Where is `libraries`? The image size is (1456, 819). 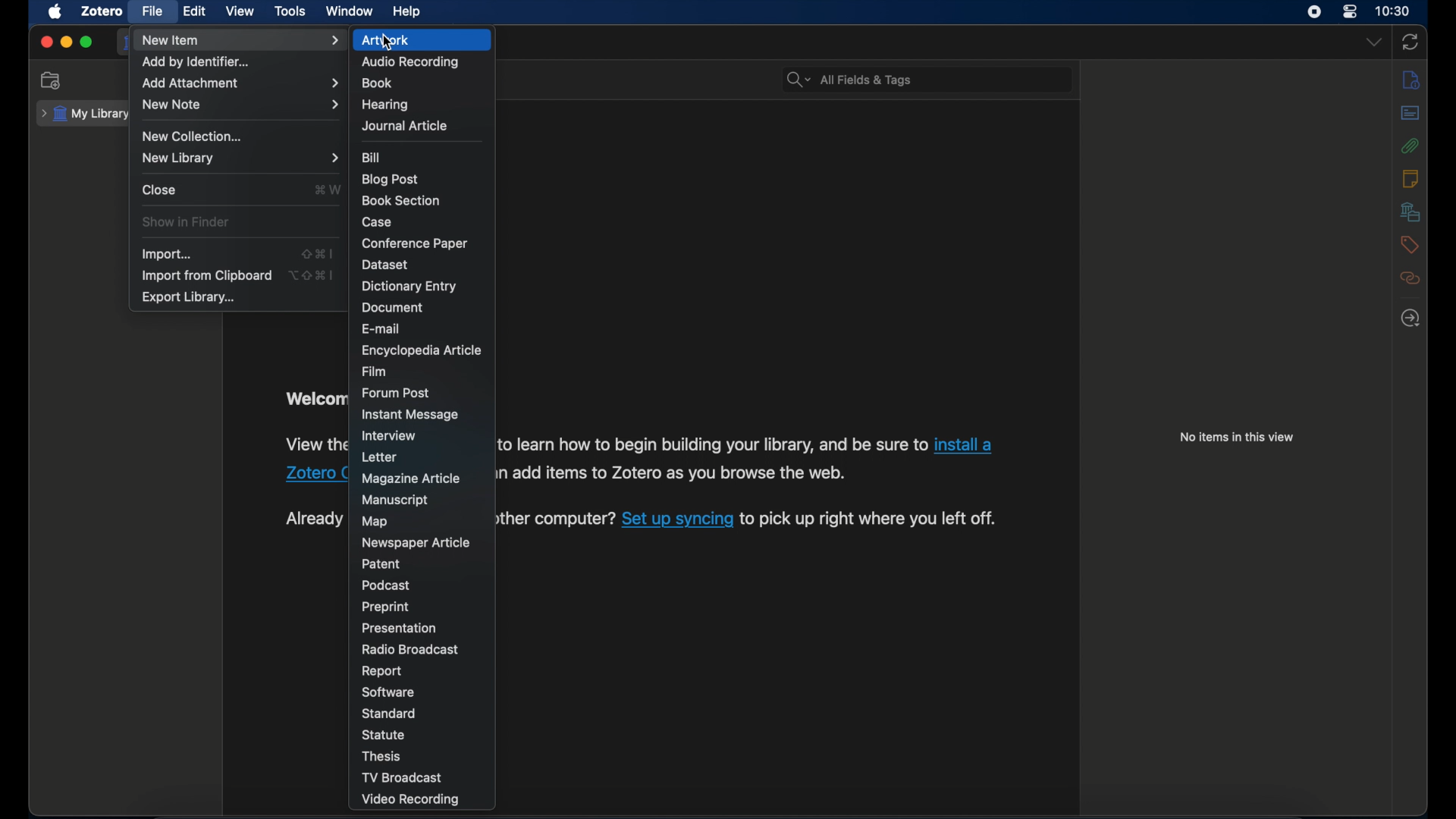
libraries is located at coordinates (1411, 212).